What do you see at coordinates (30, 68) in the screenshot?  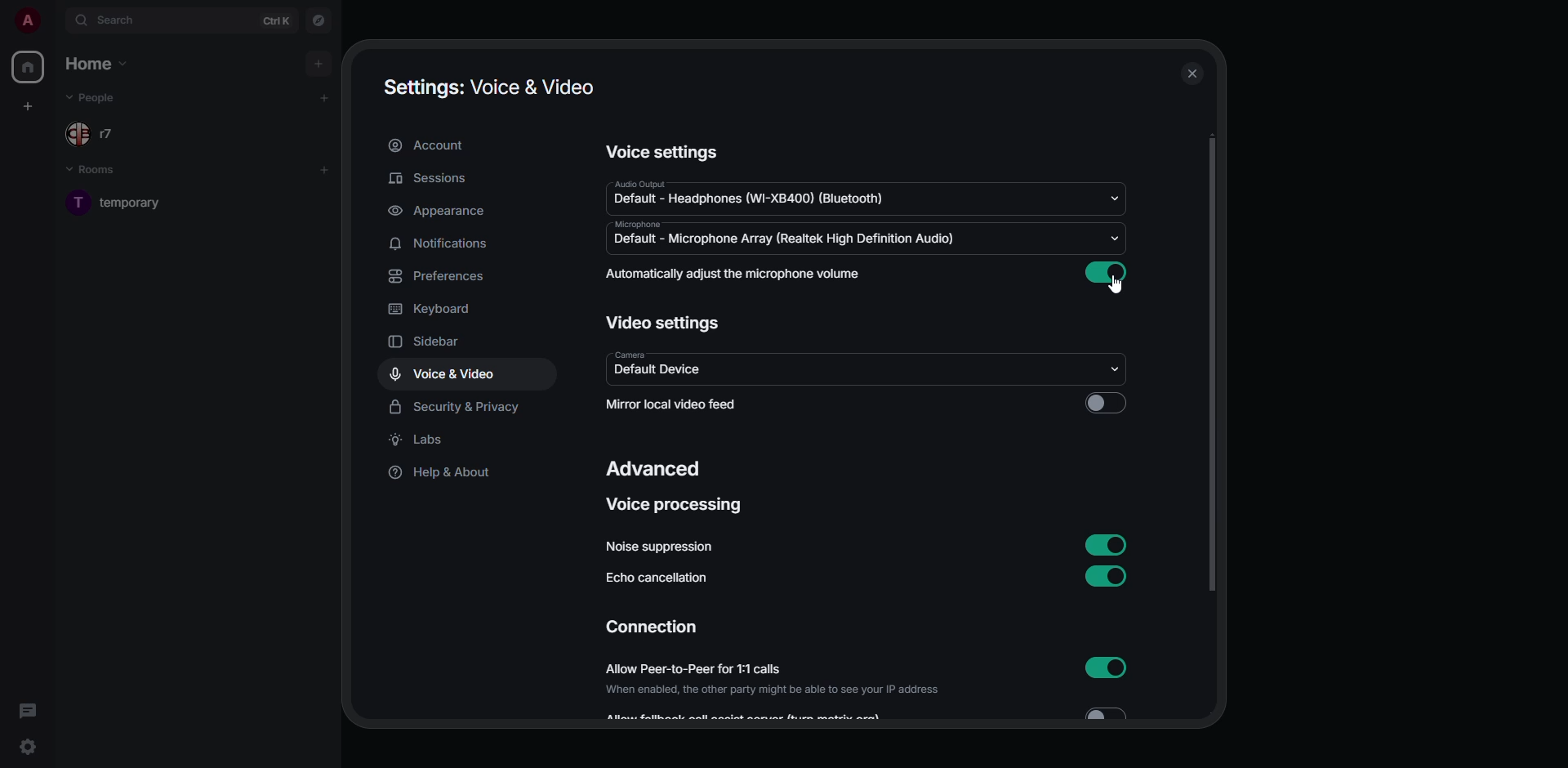 I see `home` at bounding box center [30, 68].